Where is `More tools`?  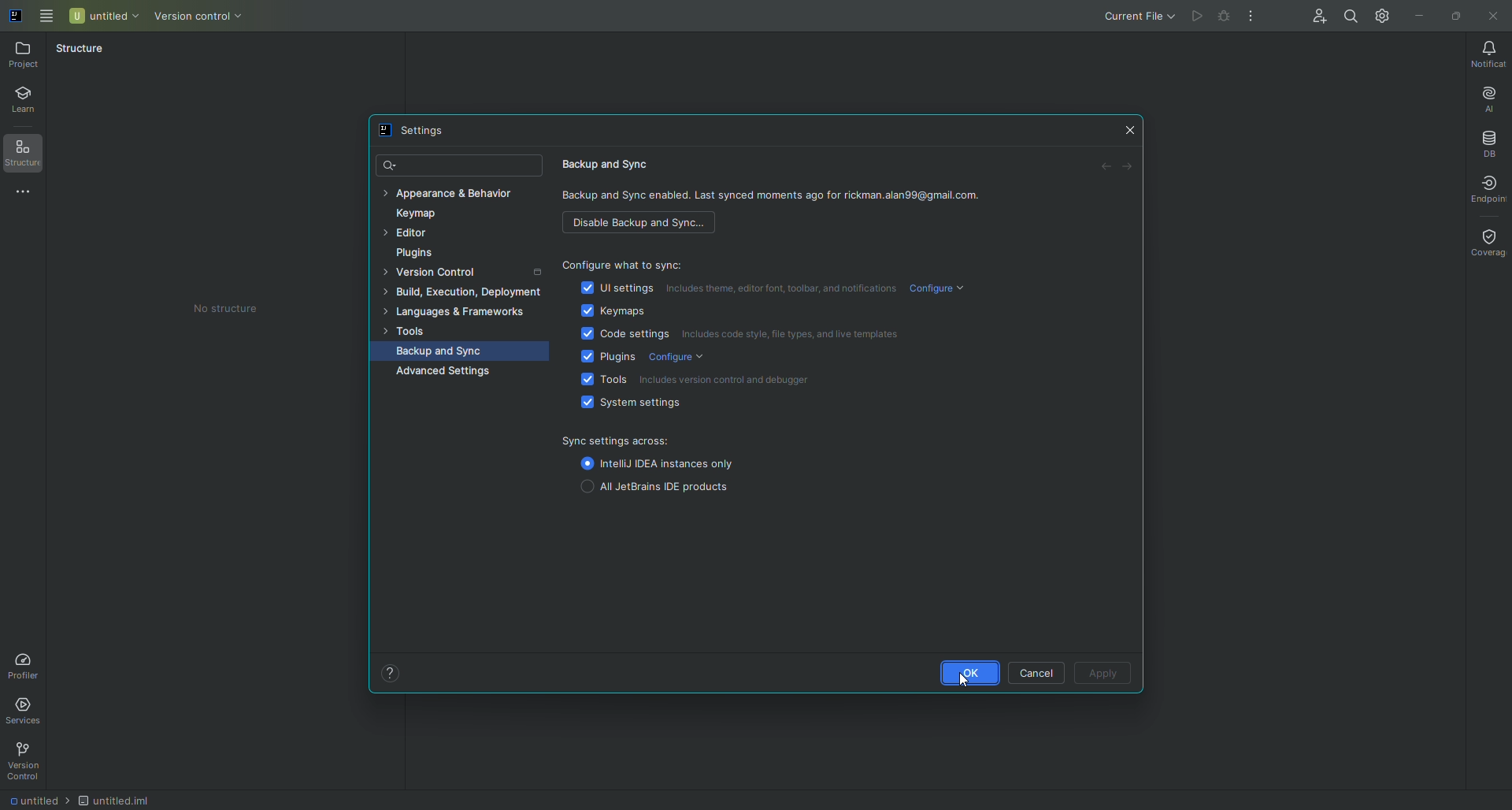 More tools is located at coordinates (29, 193).